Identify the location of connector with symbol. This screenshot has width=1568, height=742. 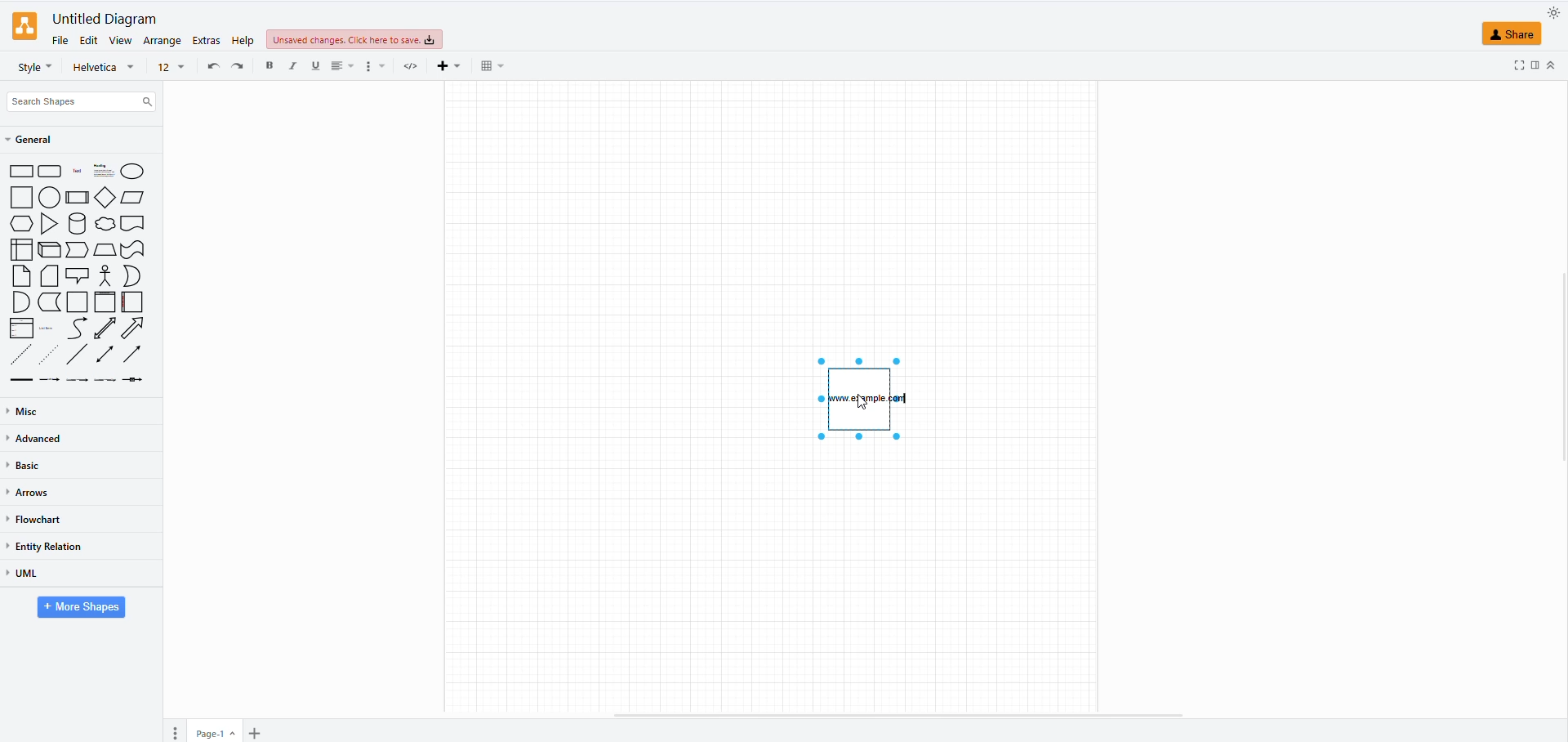
(136, 382).